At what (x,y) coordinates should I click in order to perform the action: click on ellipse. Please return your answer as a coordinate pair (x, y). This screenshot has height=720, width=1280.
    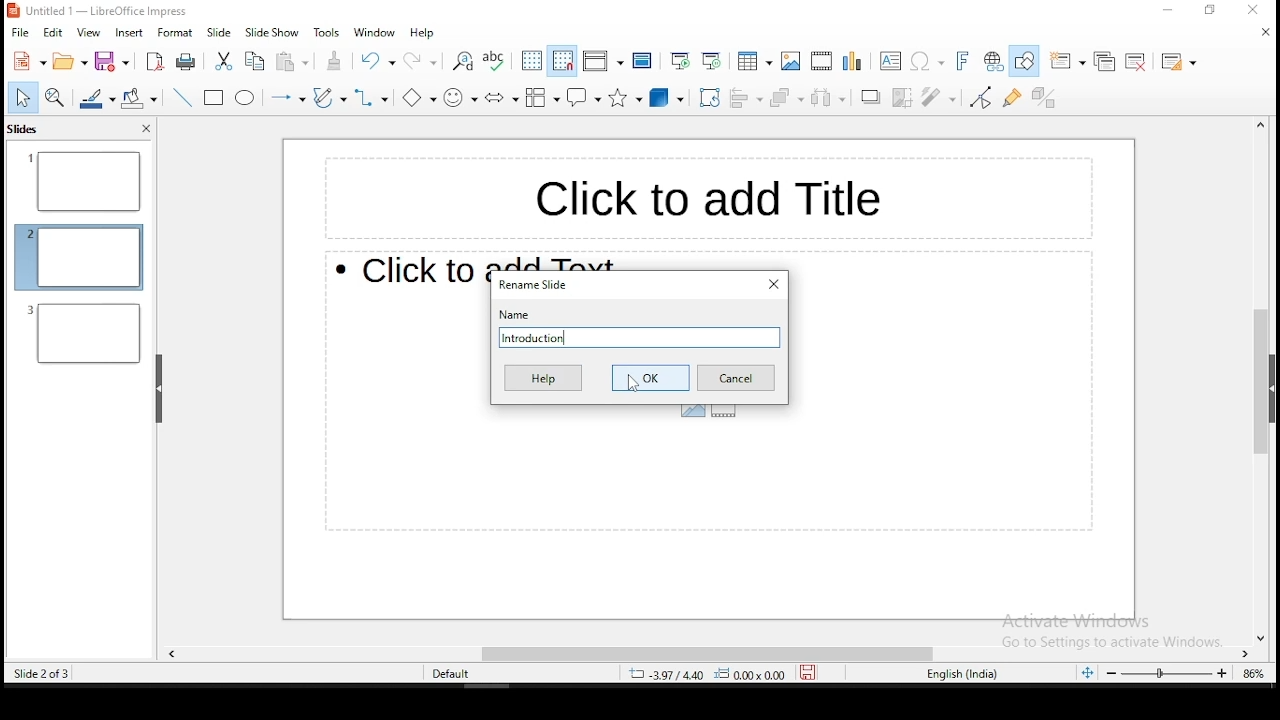
    Looking at the image, I should click on (245, 100).